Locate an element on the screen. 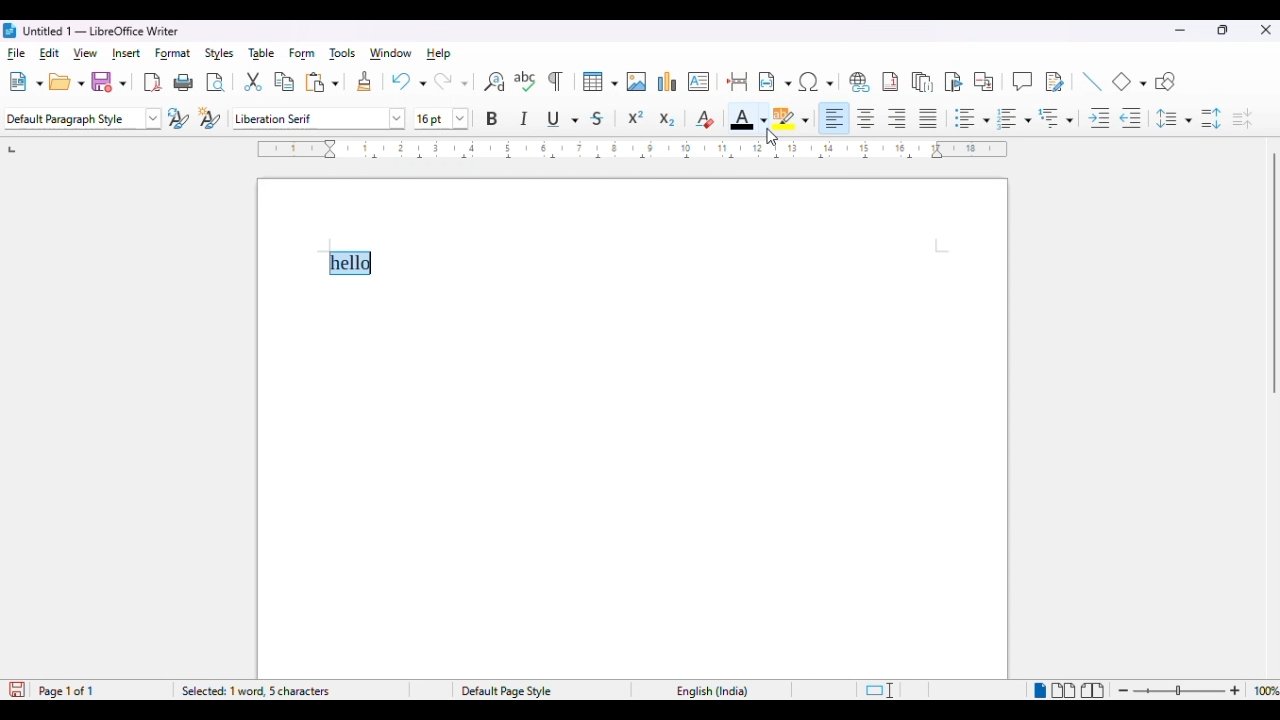 The height and width of the screenshot is (720, 1280). align center is located at coordinates (866, 119).